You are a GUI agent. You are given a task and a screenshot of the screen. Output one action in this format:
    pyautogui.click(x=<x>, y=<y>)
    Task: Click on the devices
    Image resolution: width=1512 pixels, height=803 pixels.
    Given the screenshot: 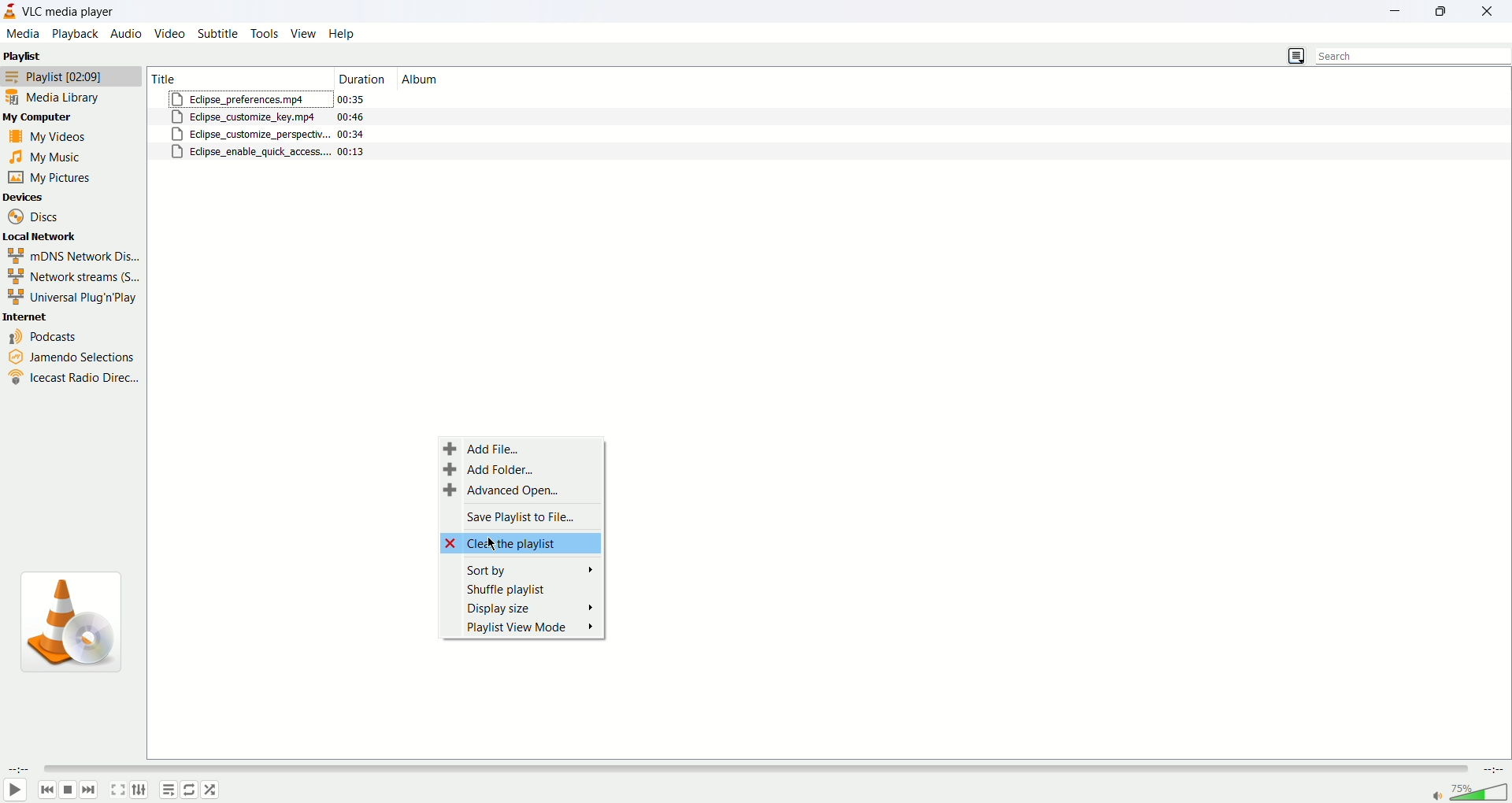 What is the action you would take?
    pyautogui.click(x=36, y=197)
    